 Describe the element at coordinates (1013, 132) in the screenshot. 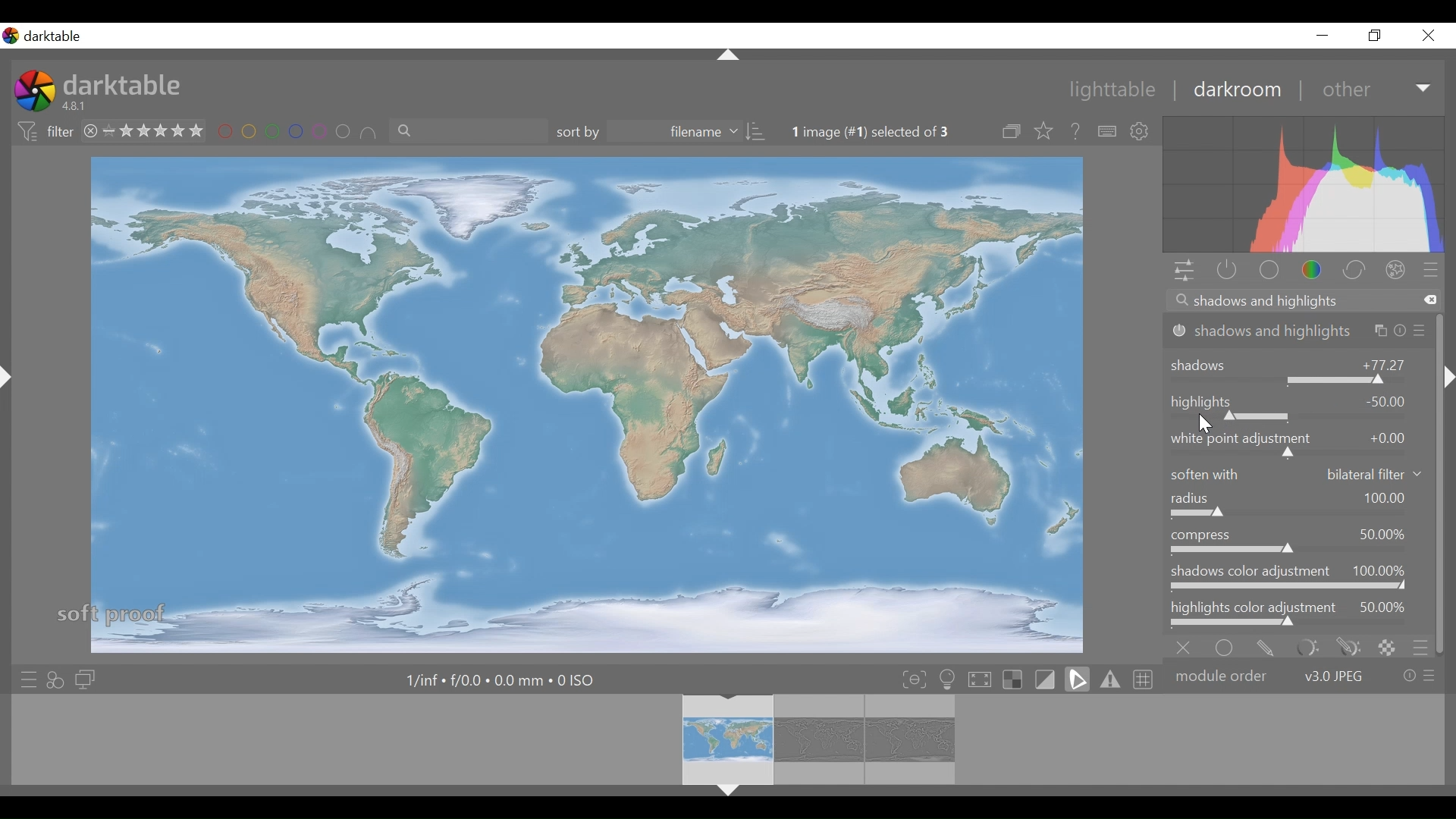

I see `collapse grouped image` at that location.